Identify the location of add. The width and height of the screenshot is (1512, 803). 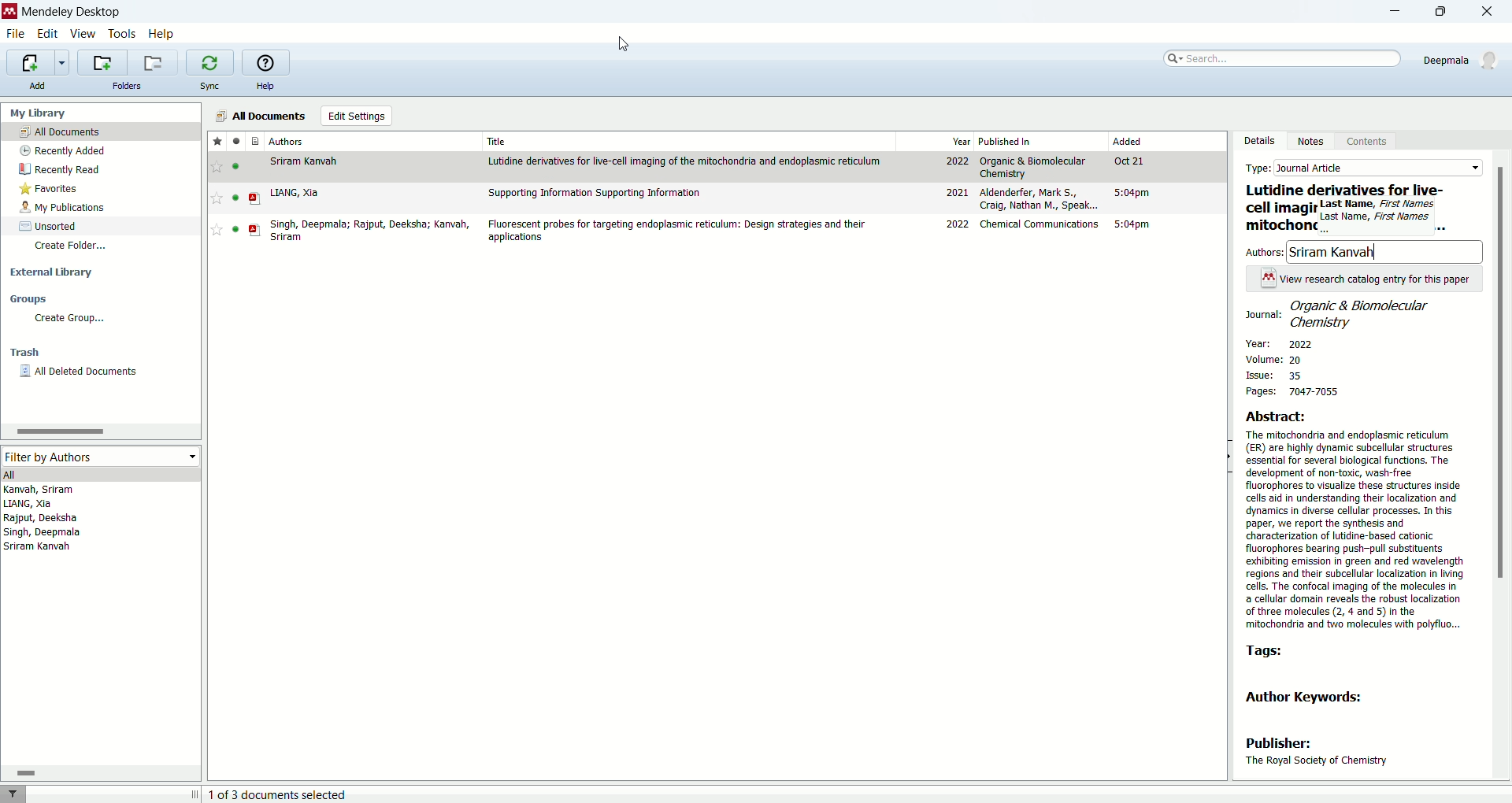
(43, 87).